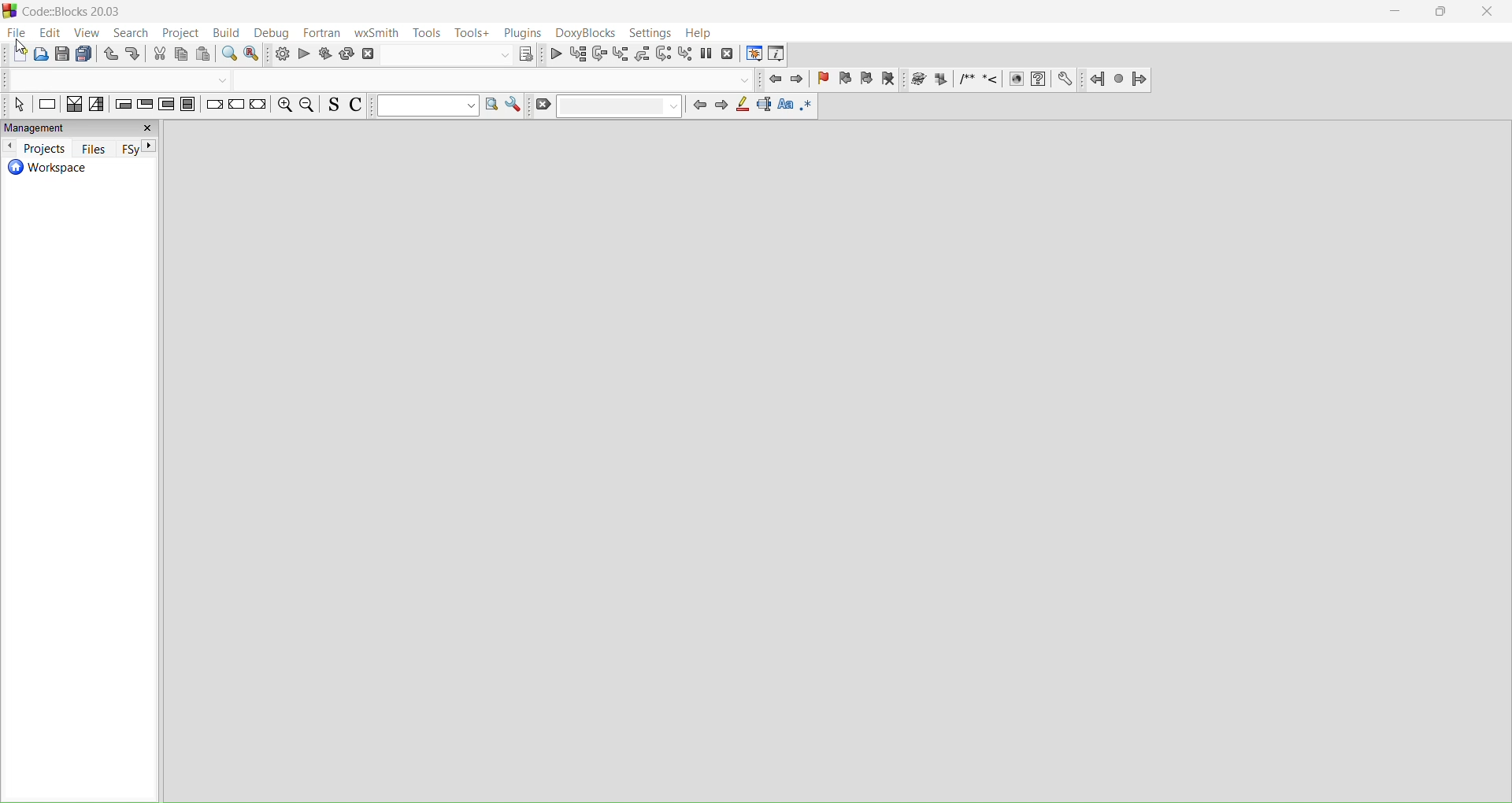  I want to click on replace, so click(254, 55).